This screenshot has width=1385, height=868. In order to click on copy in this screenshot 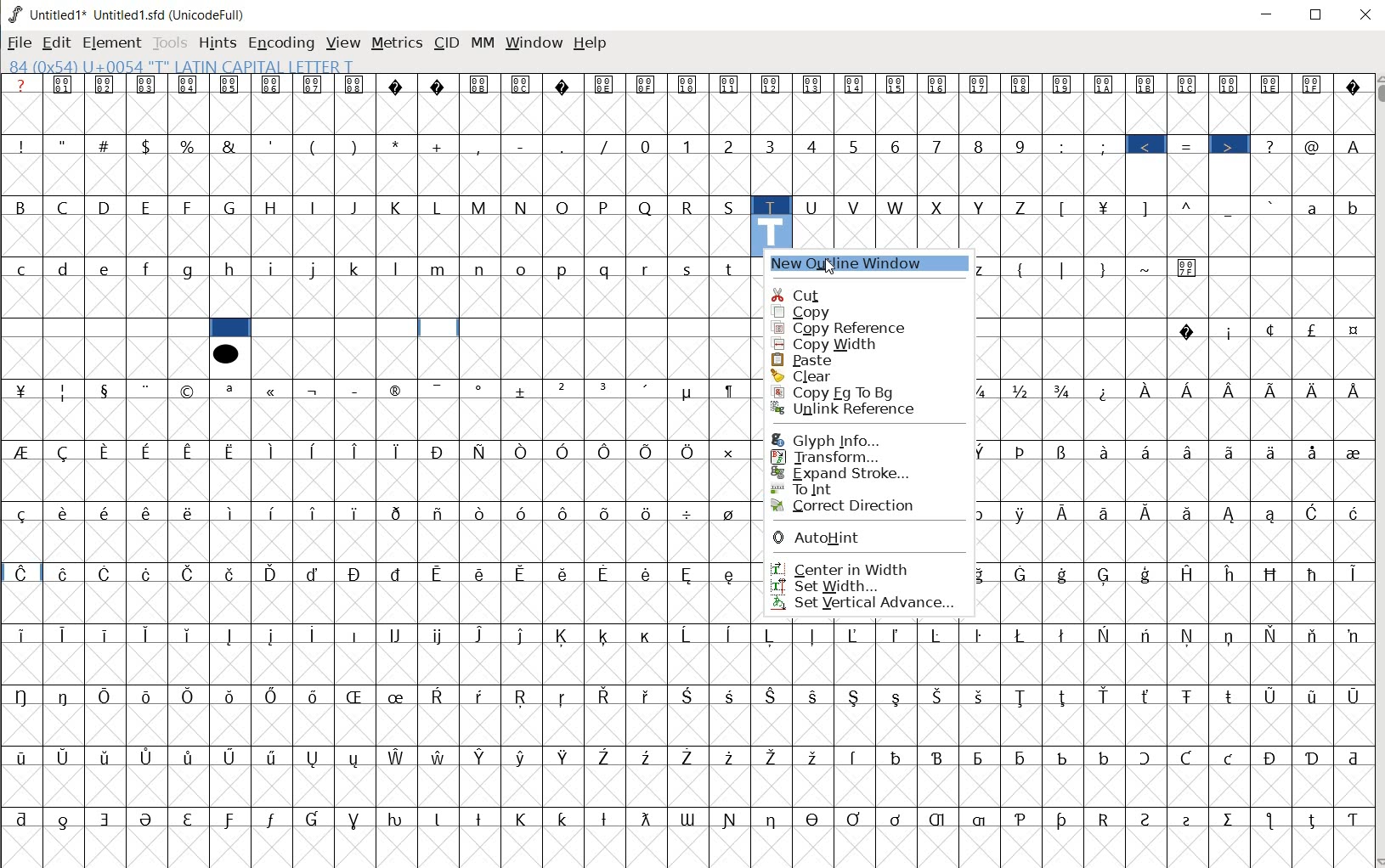, I will do `click(839, 313)`.